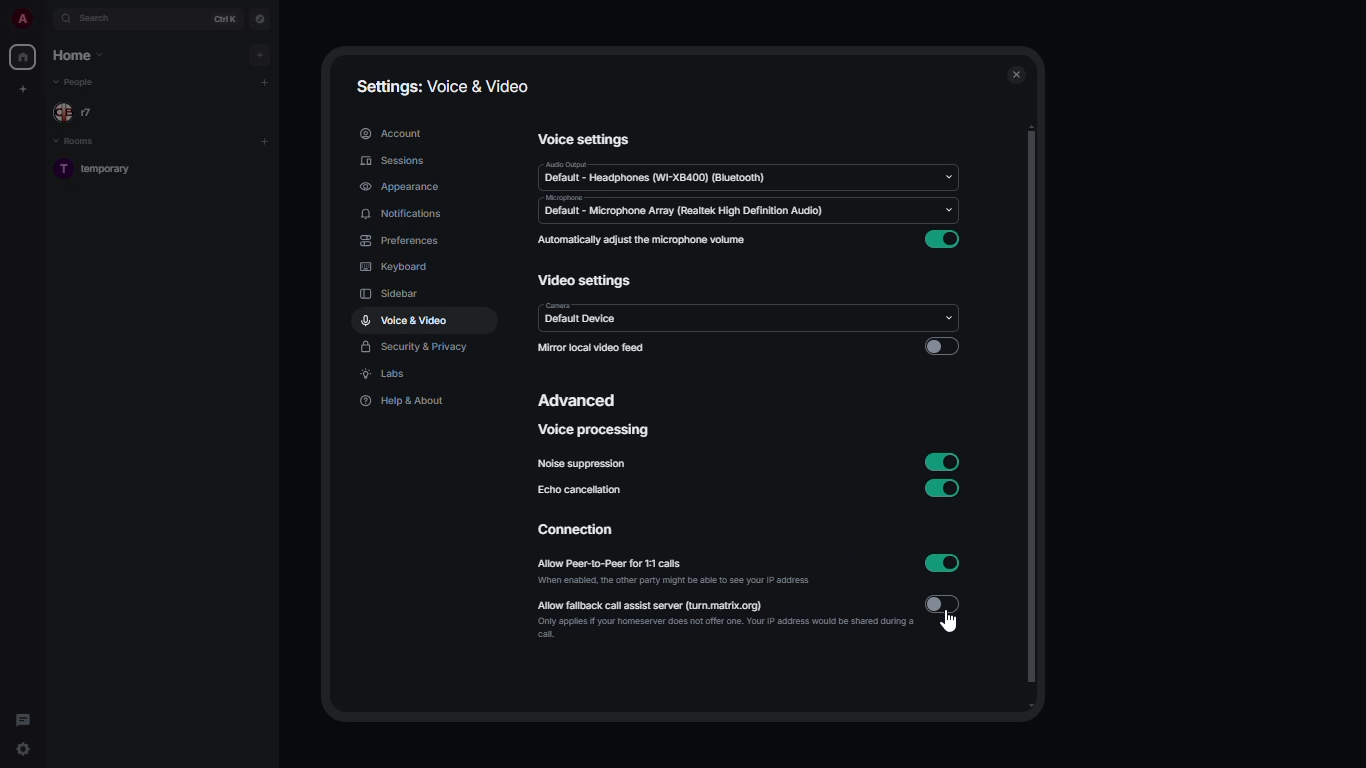 The image size is (1366, 768). What do you see at coordinates (597, 430) in the screenshot?
I see `voice processing` at bounding box center [597, 430].